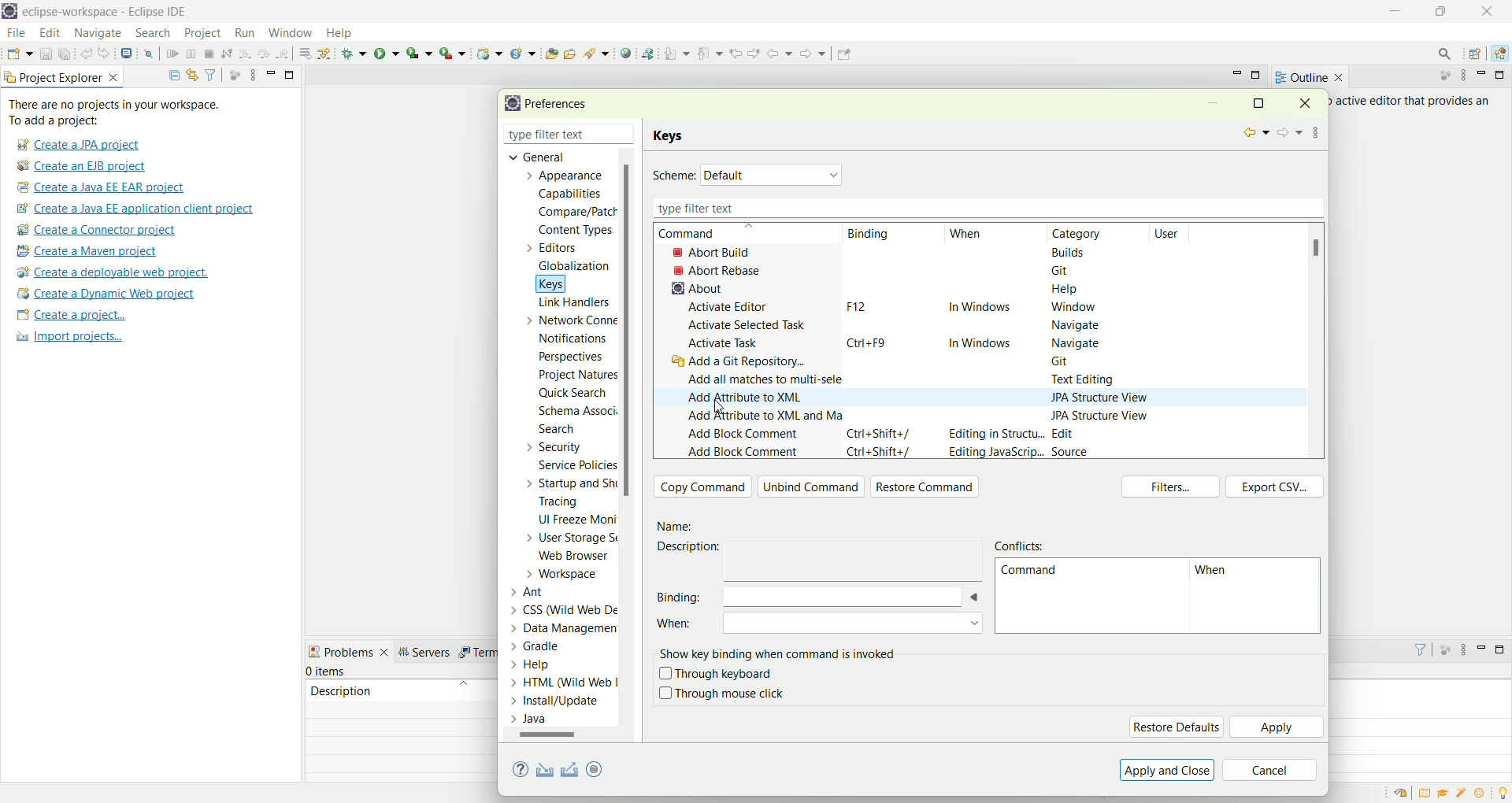 Image resolution: width=1512 pixels, height=803 pixels. What do you see at coordinates (1492, 11) in the screenshot?
I see `close` at bounding box center [1492, 11].